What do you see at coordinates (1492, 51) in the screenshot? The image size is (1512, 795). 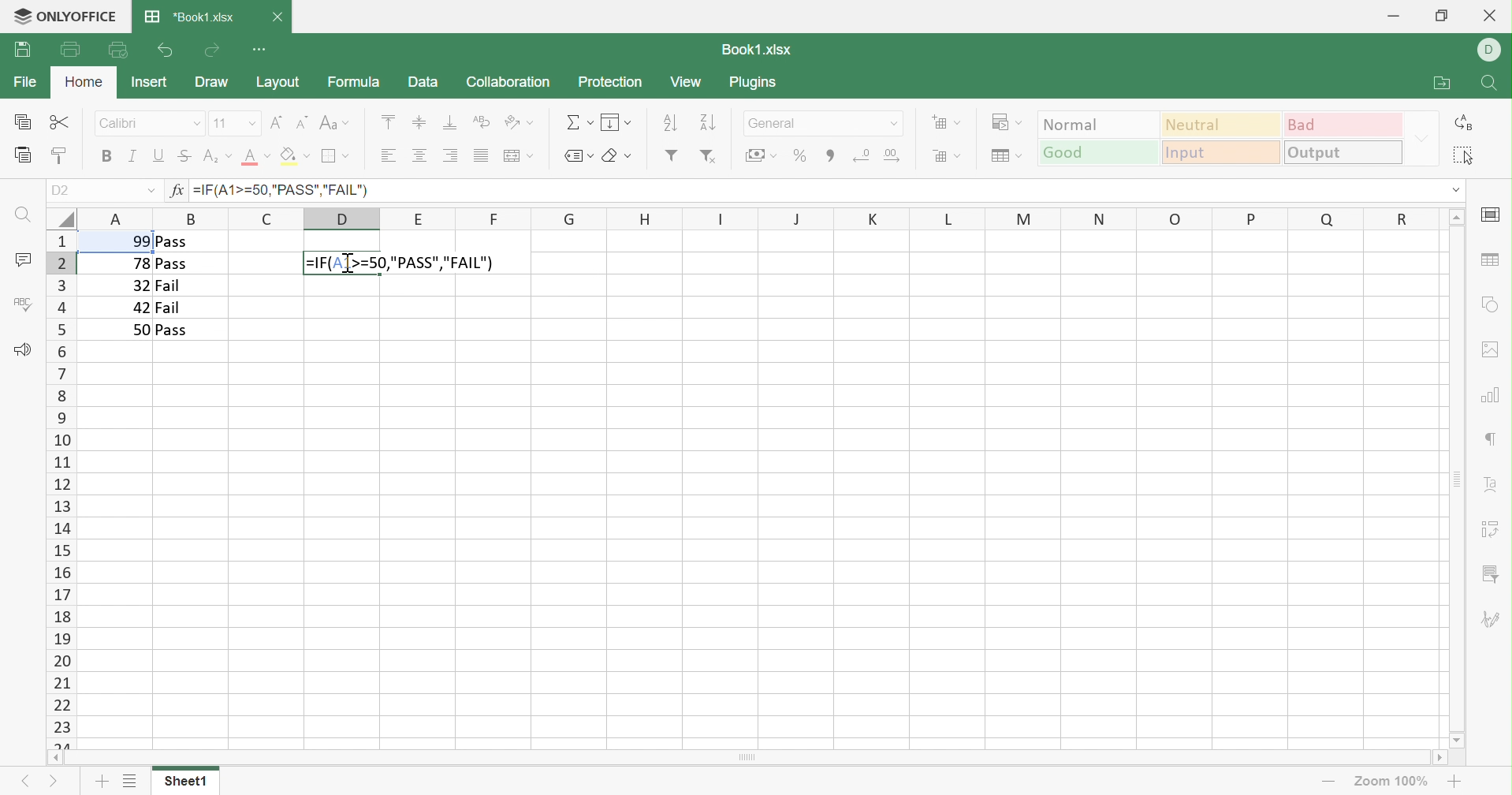 I see `DELL` at bounding box center [1492, 51].